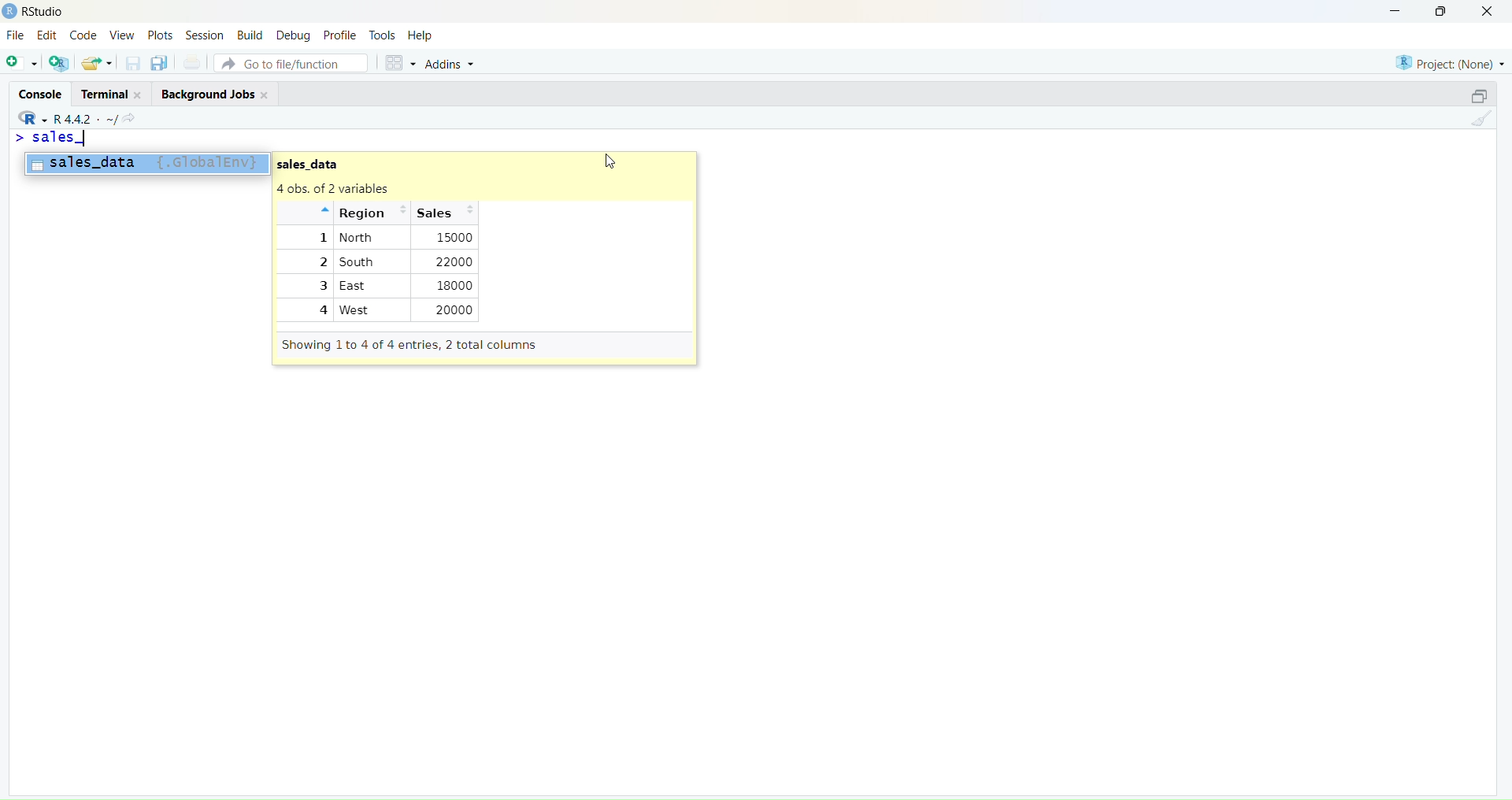 The width and height of the screenshot is (1512, 800). I want to click on Plots, so click(160, 33).